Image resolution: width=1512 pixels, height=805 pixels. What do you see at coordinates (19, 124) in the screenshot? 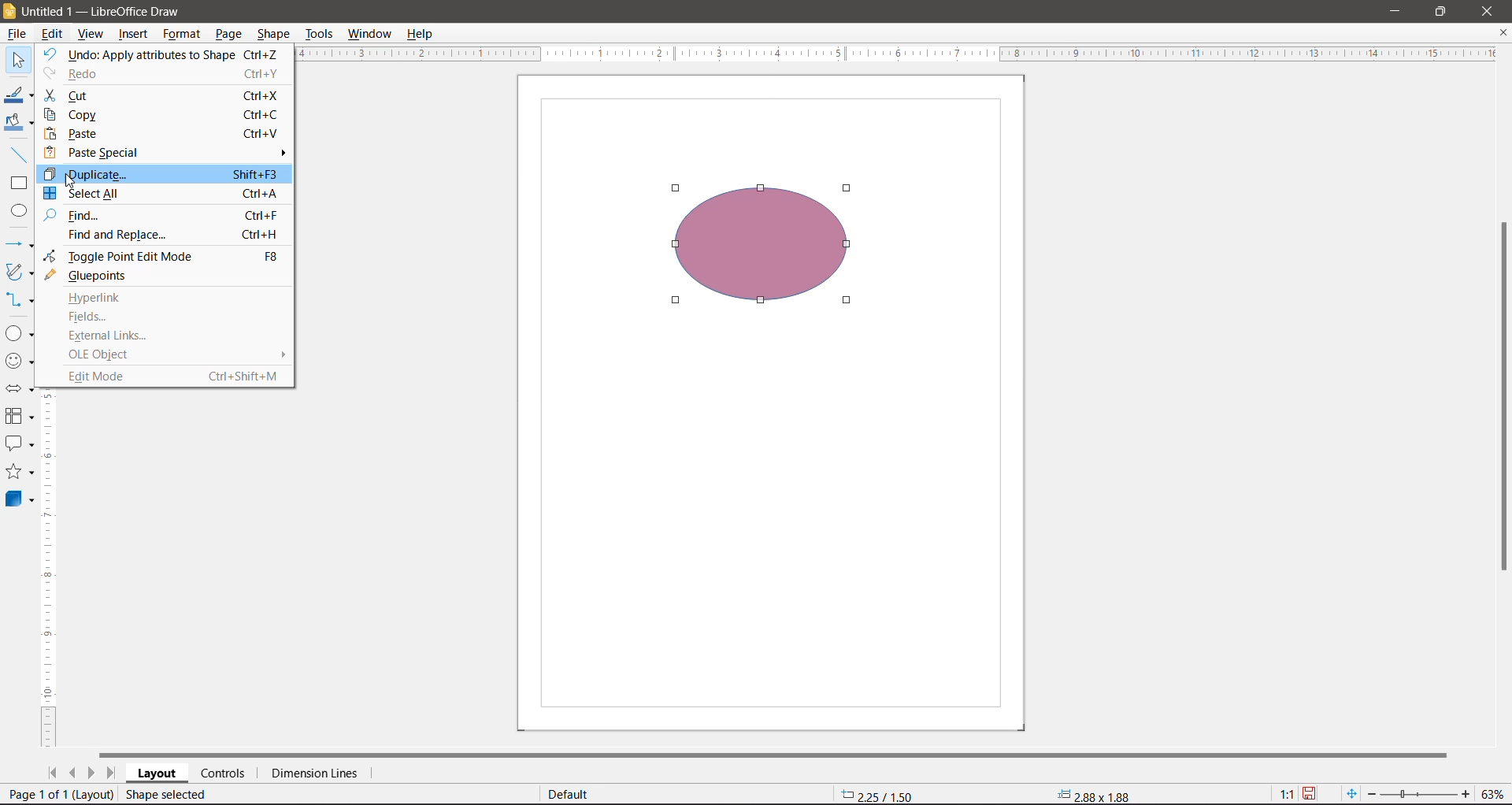
I see `Fill Color` at bounding box center [19, 124].